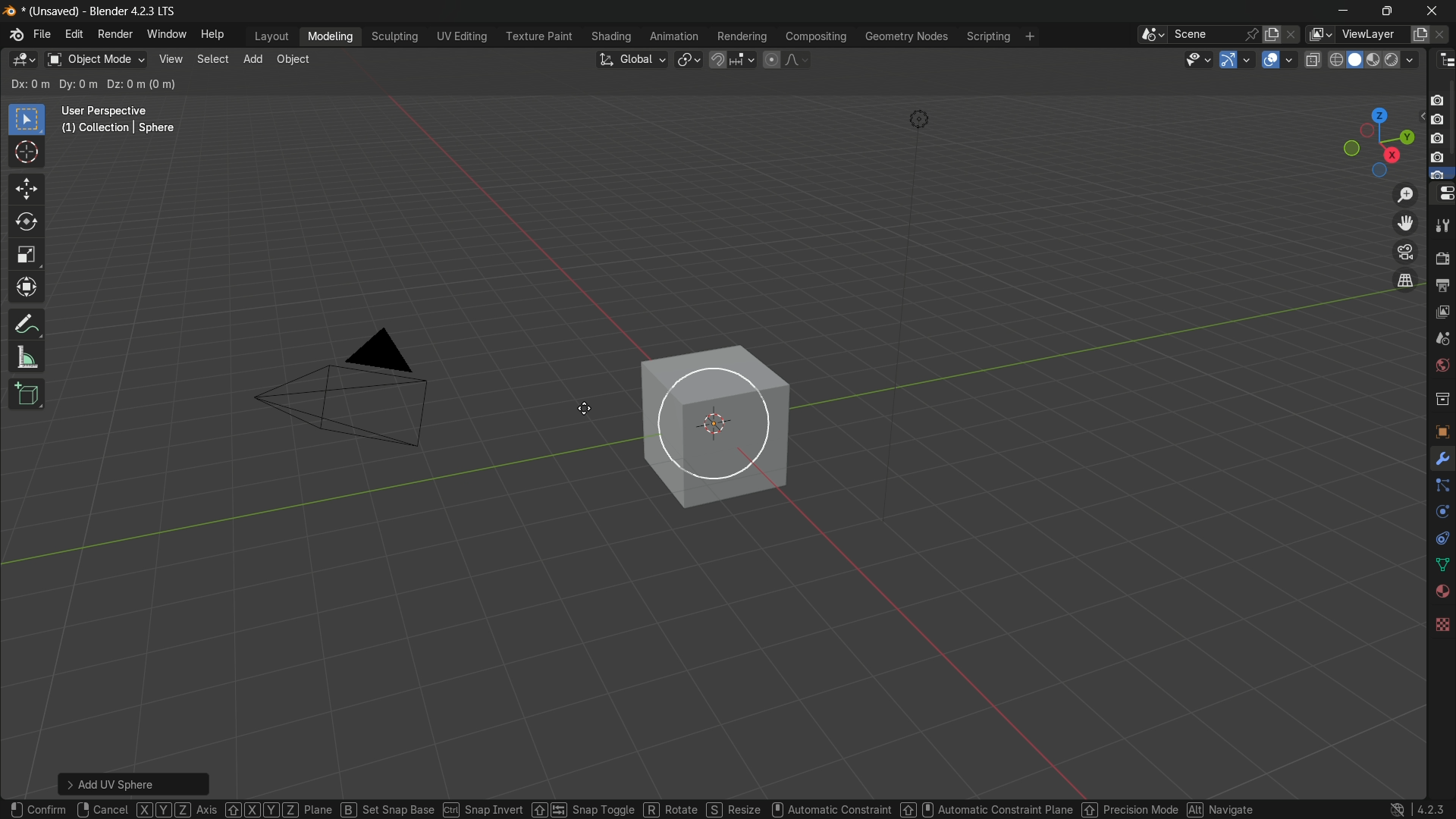  I want to click on Snap Invert, so click(482, 807).